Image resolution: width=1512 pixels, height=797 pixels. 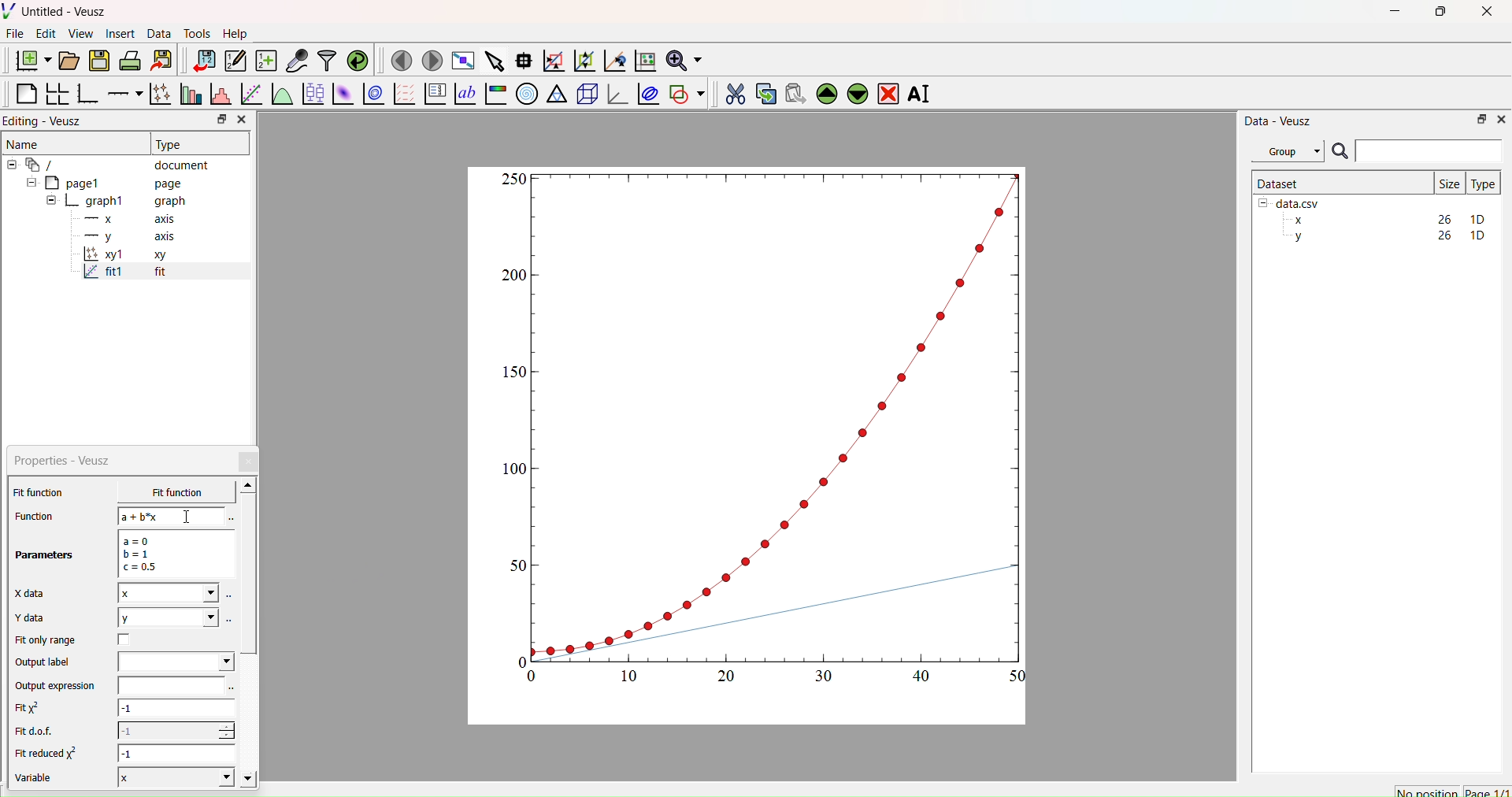 What do you see at coordinates (39, 618) in the screenshot?
I see `Y data` at bounding box center [39, 618].